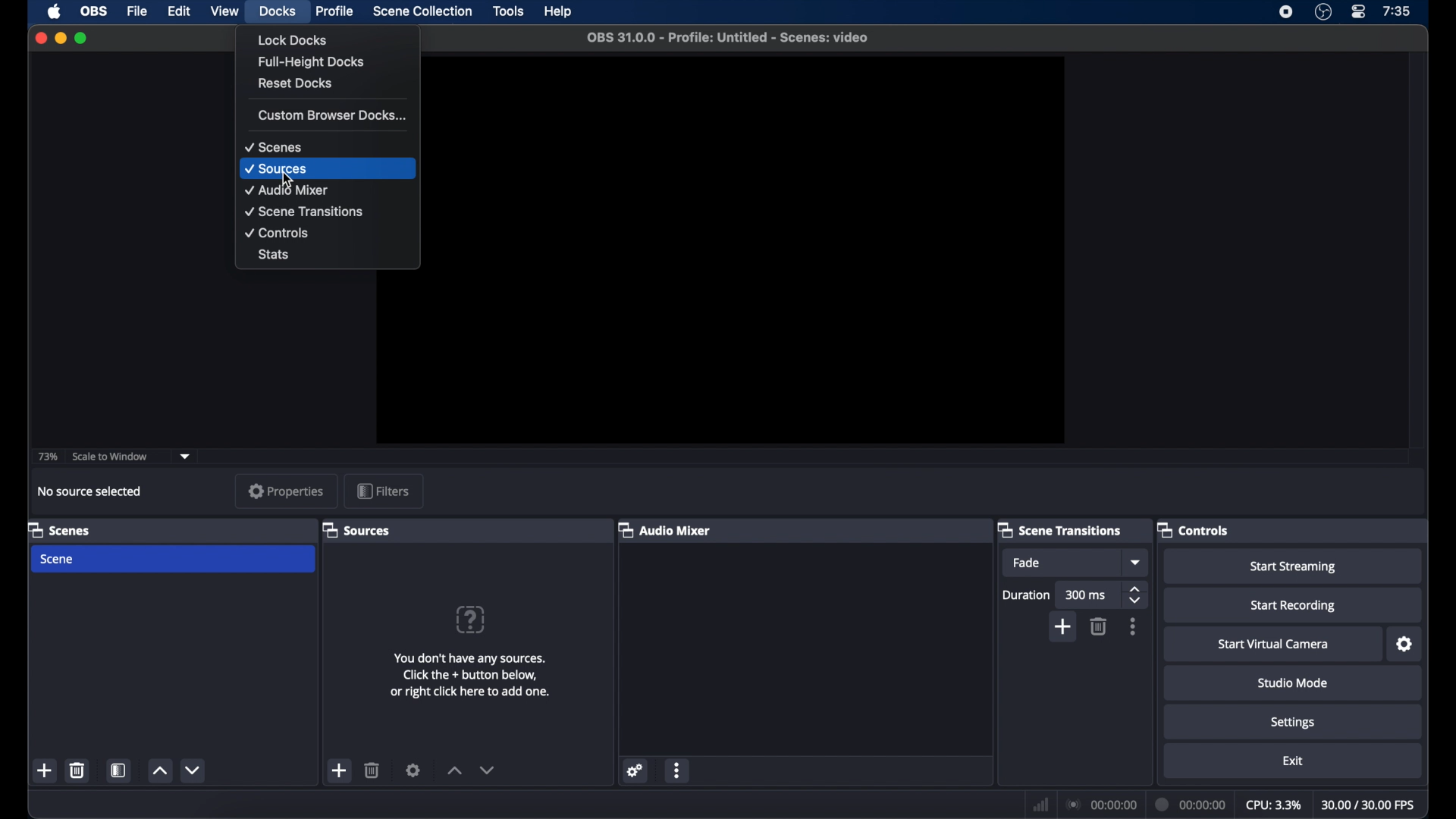  What do you see at coordinates (383, 491) in the screenshot?
I see `filters` at bounding box center [383, 491].